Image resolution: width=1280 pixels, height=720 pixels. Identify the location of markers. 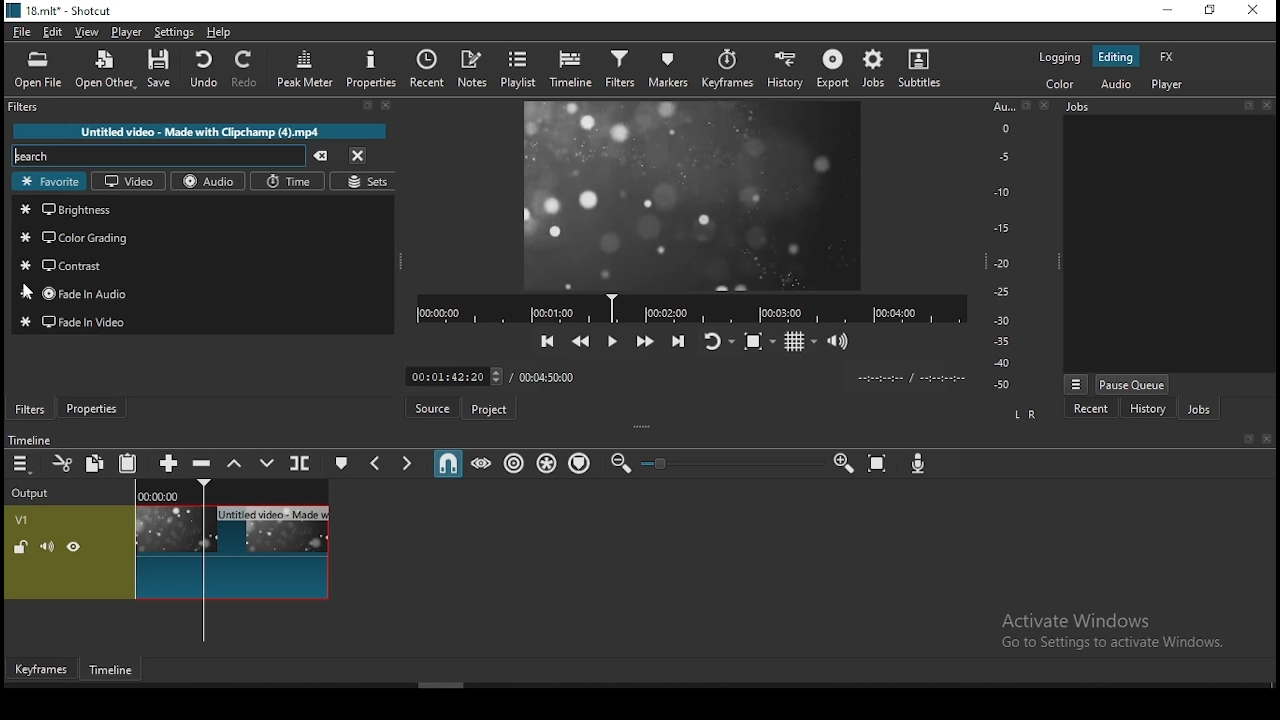
(664, 70).